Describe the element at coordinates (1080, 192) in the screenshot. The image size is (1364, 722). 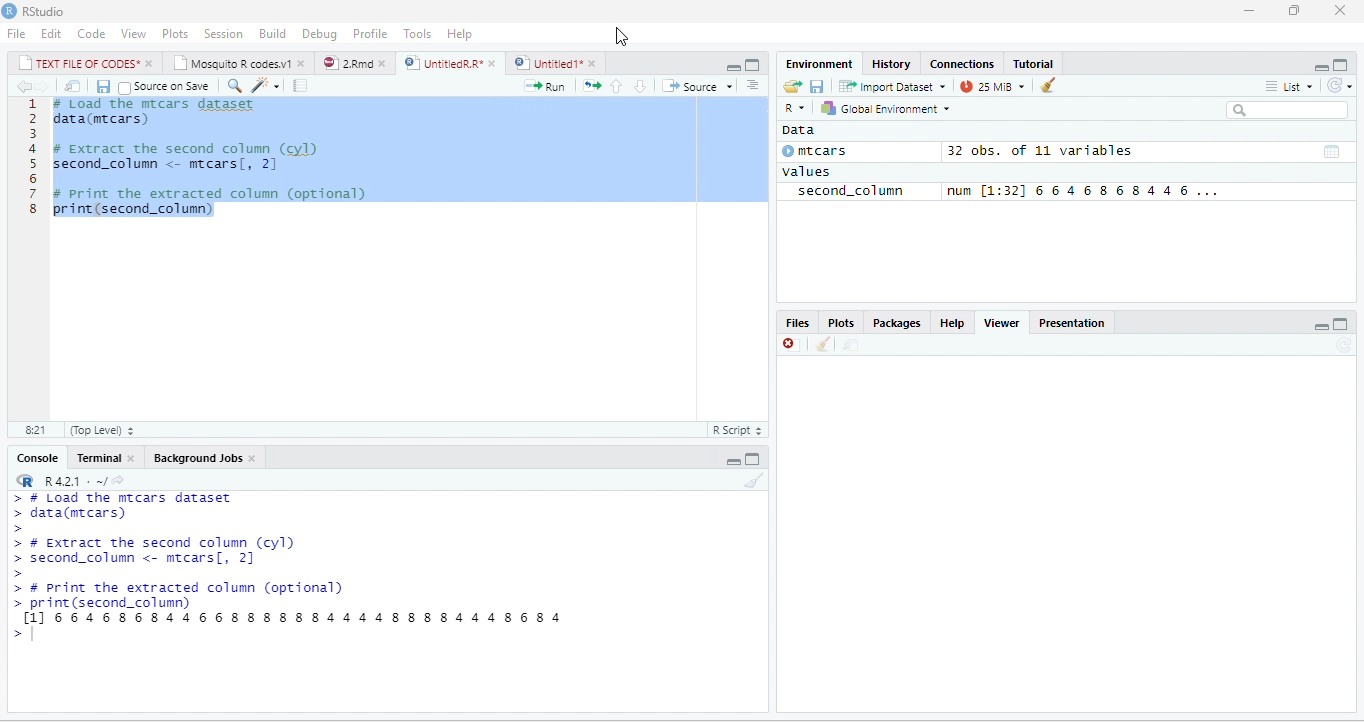
I see `num [1:32] 6 6 4 6 8 6 8 4 4 6 ...` at that location.